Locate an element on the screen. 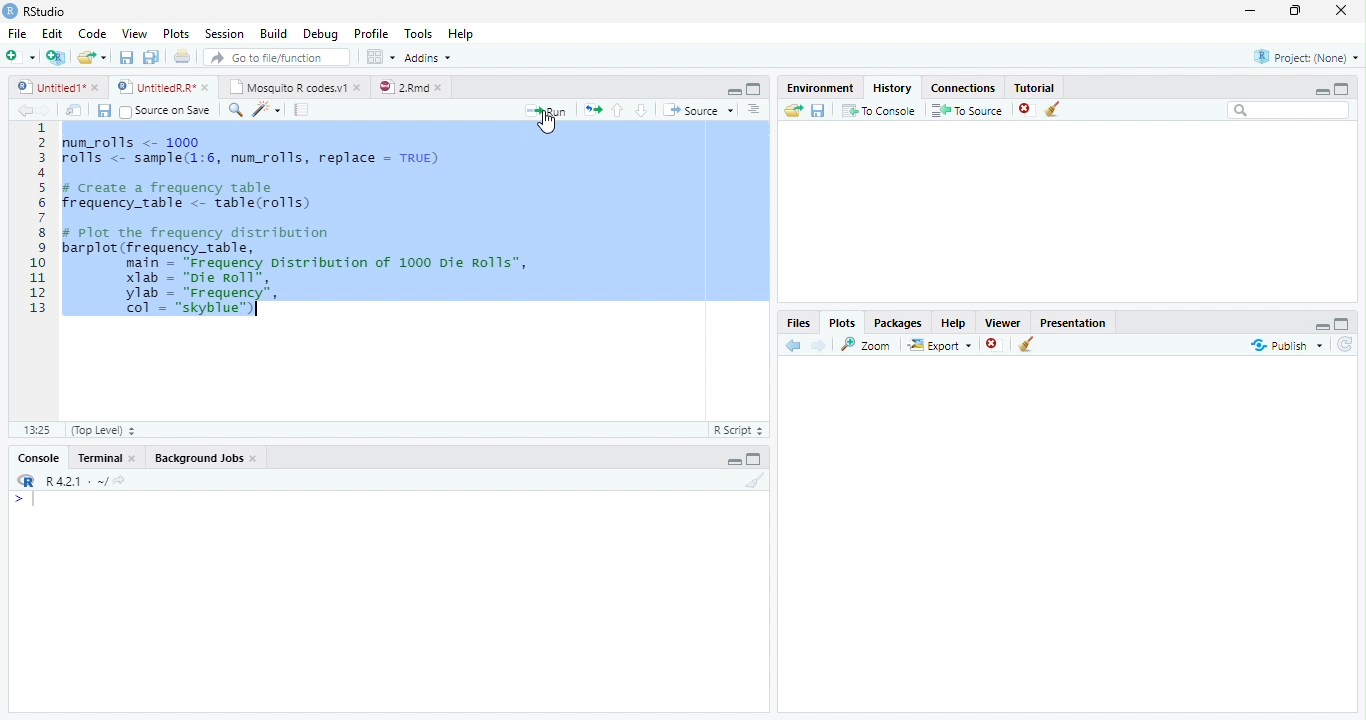 The width and height of the screenshot is (1366, 720). Search is located at coordinates (1287, 110).